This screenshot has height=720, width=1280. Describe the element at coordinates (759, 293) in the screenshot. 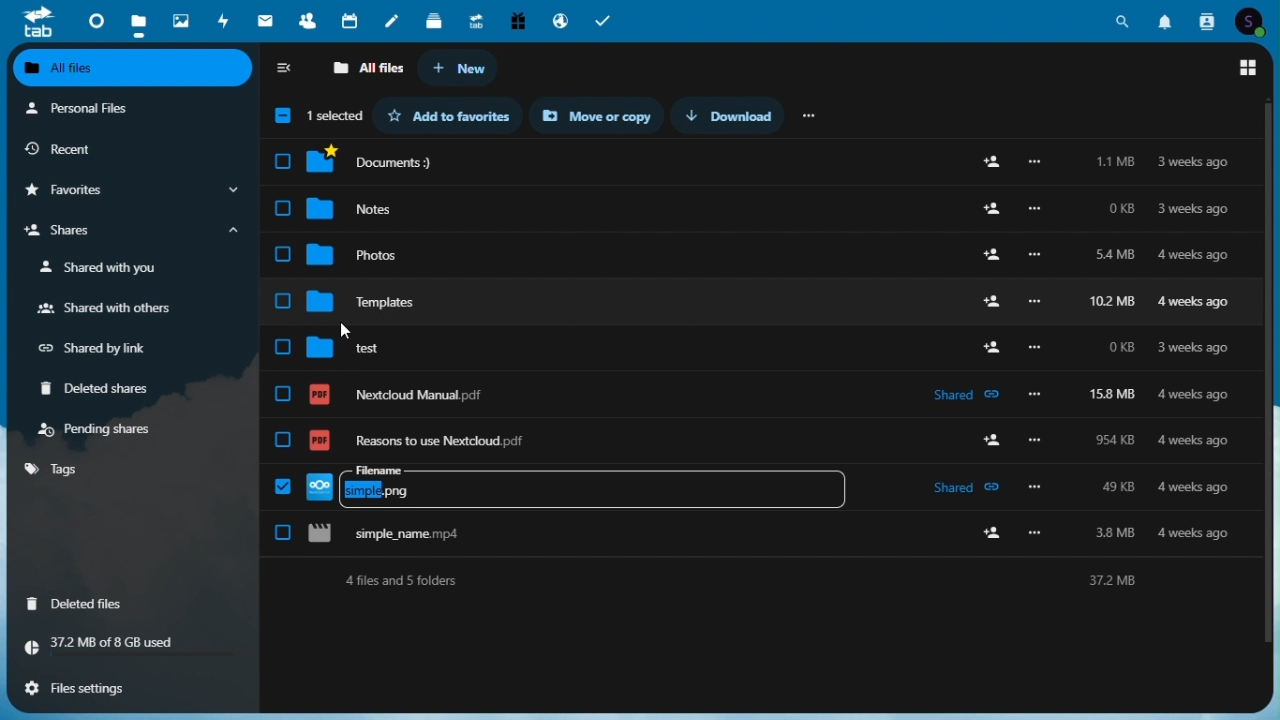

I see `Templates 102 MB 4 weeks ago` at that location.